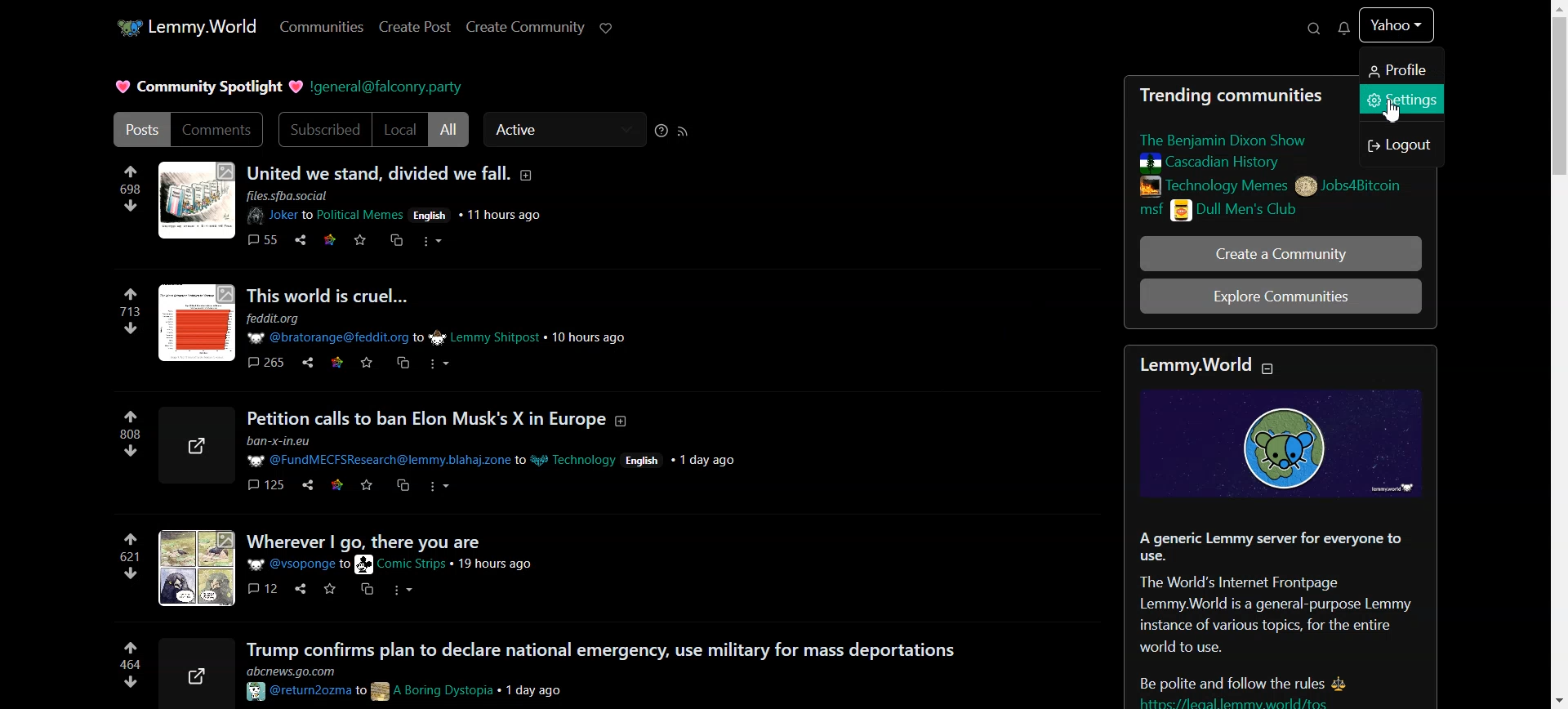 This screenshot has width=1568, height=709. What do you see at coordinates (365, 691) in the screenshot?
I see `usernames` at bounding box center [365, 691].